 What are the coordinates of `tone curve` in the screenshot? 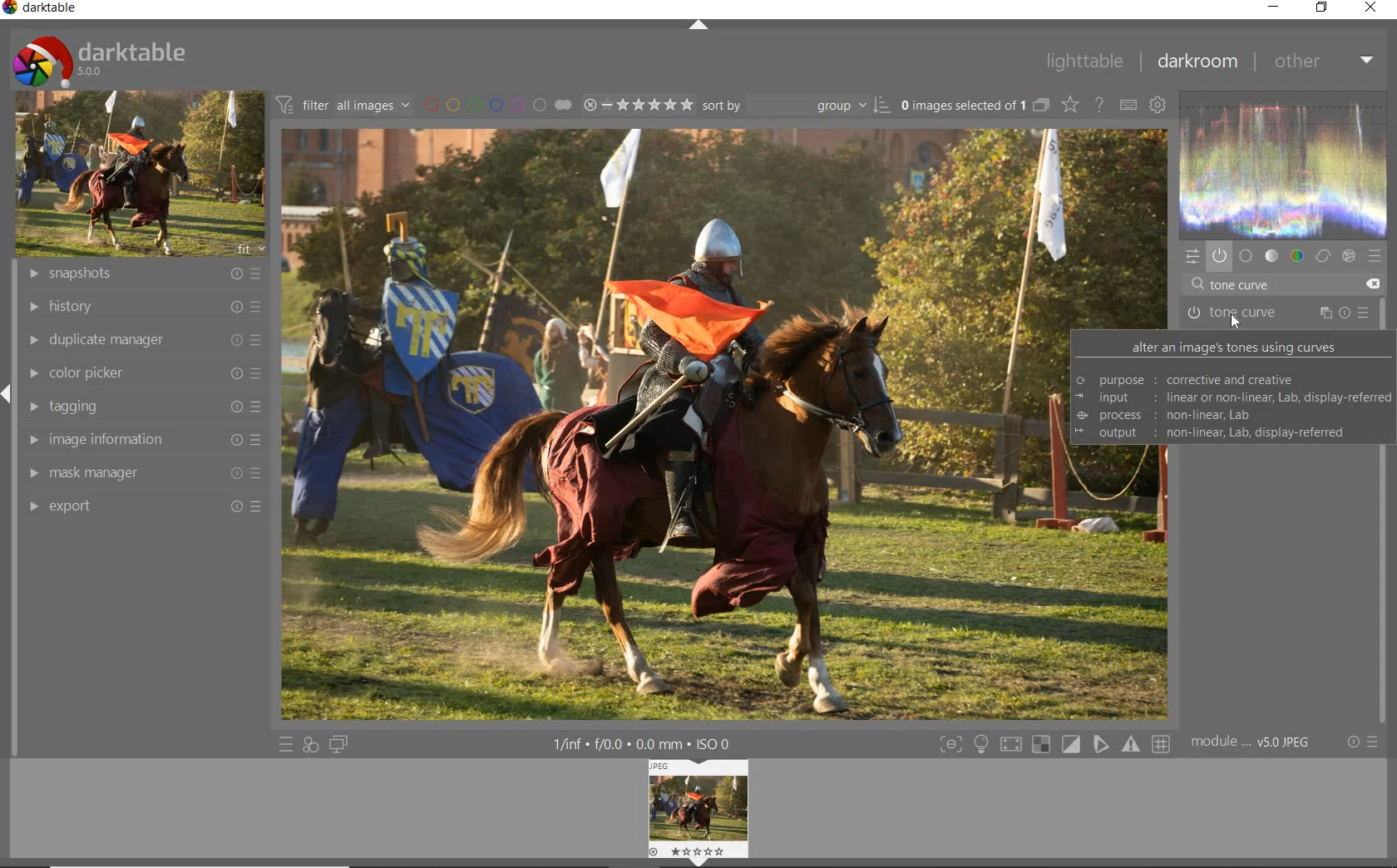 It's located at (1277, 315).